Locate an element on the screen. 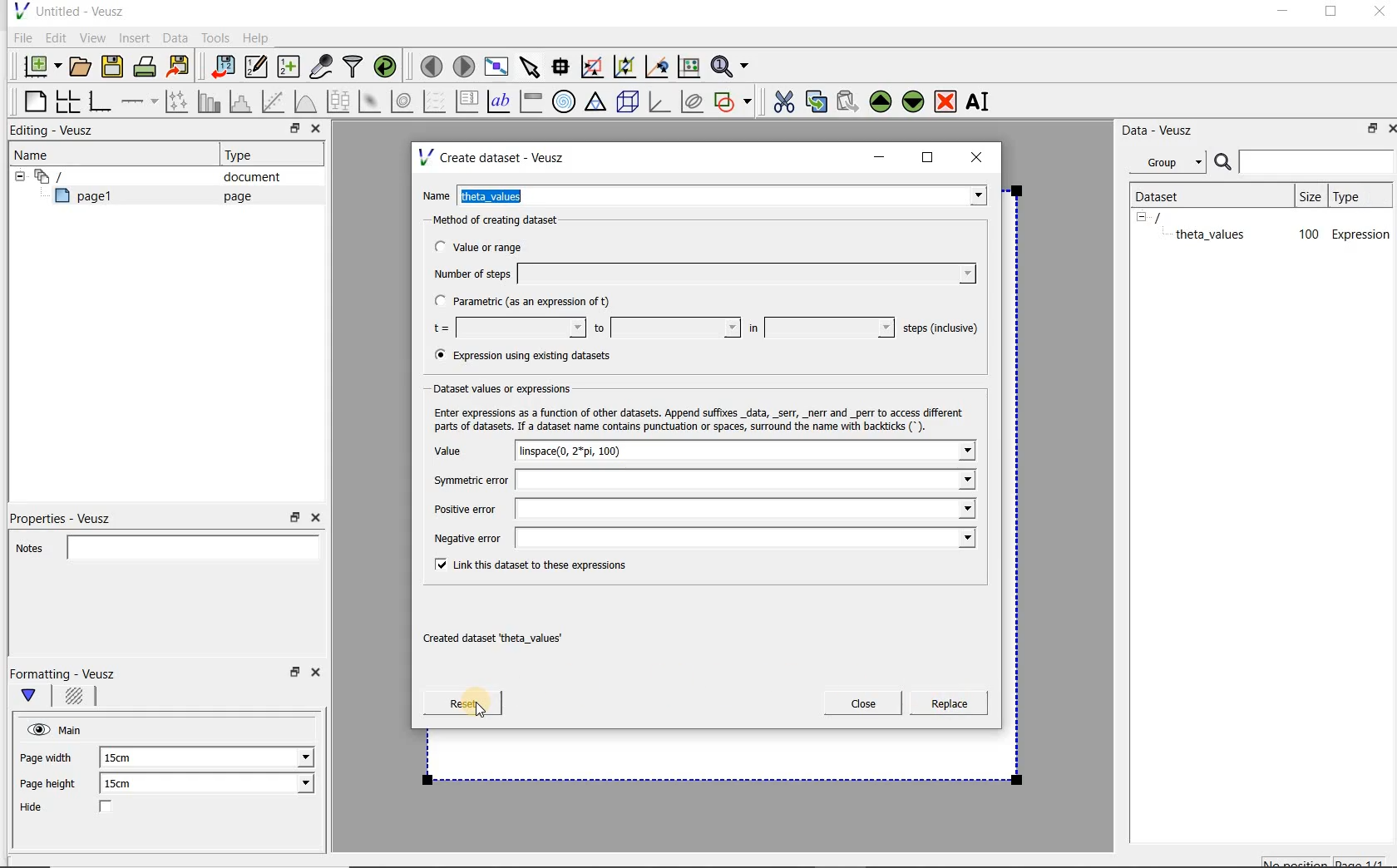 The image size is (1397, 868). Edit is located at coordinates (55, 37).